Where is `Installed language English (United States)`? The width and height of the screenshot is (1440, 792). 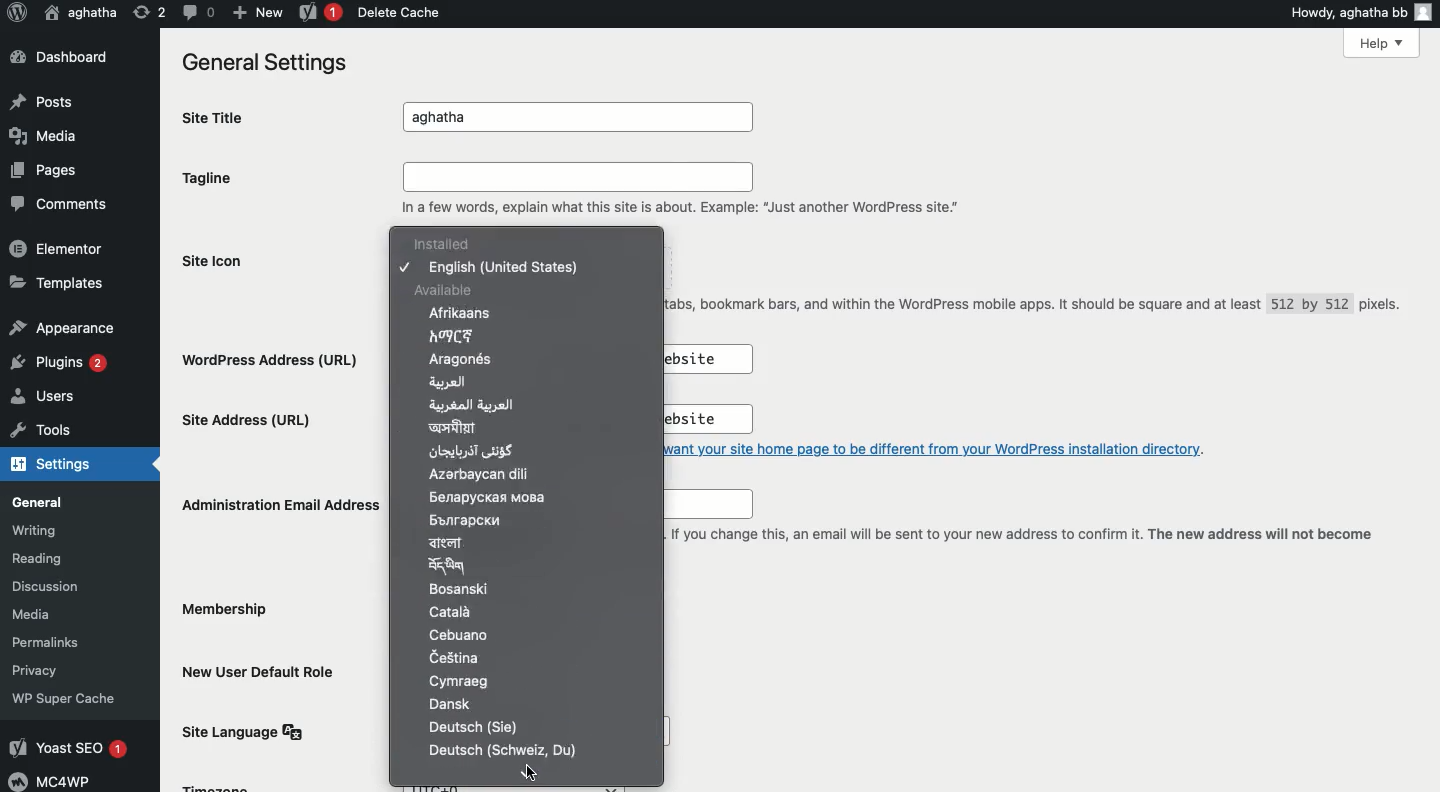
Installed language English (United States) is located at coordinates (505, 255).